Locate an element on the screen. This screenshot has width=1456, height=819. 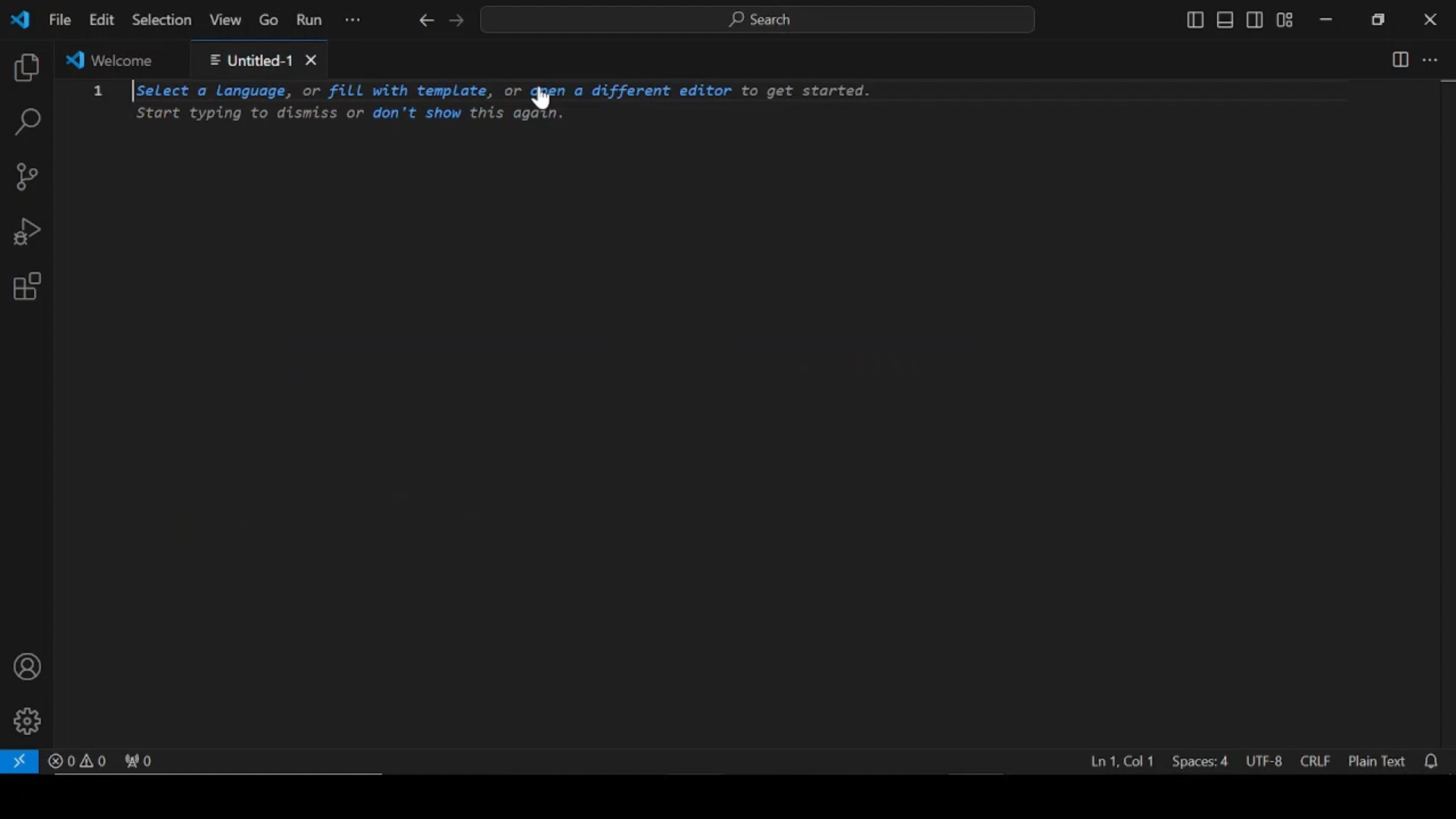
utf-8 is located at coordinates (1262, 762).